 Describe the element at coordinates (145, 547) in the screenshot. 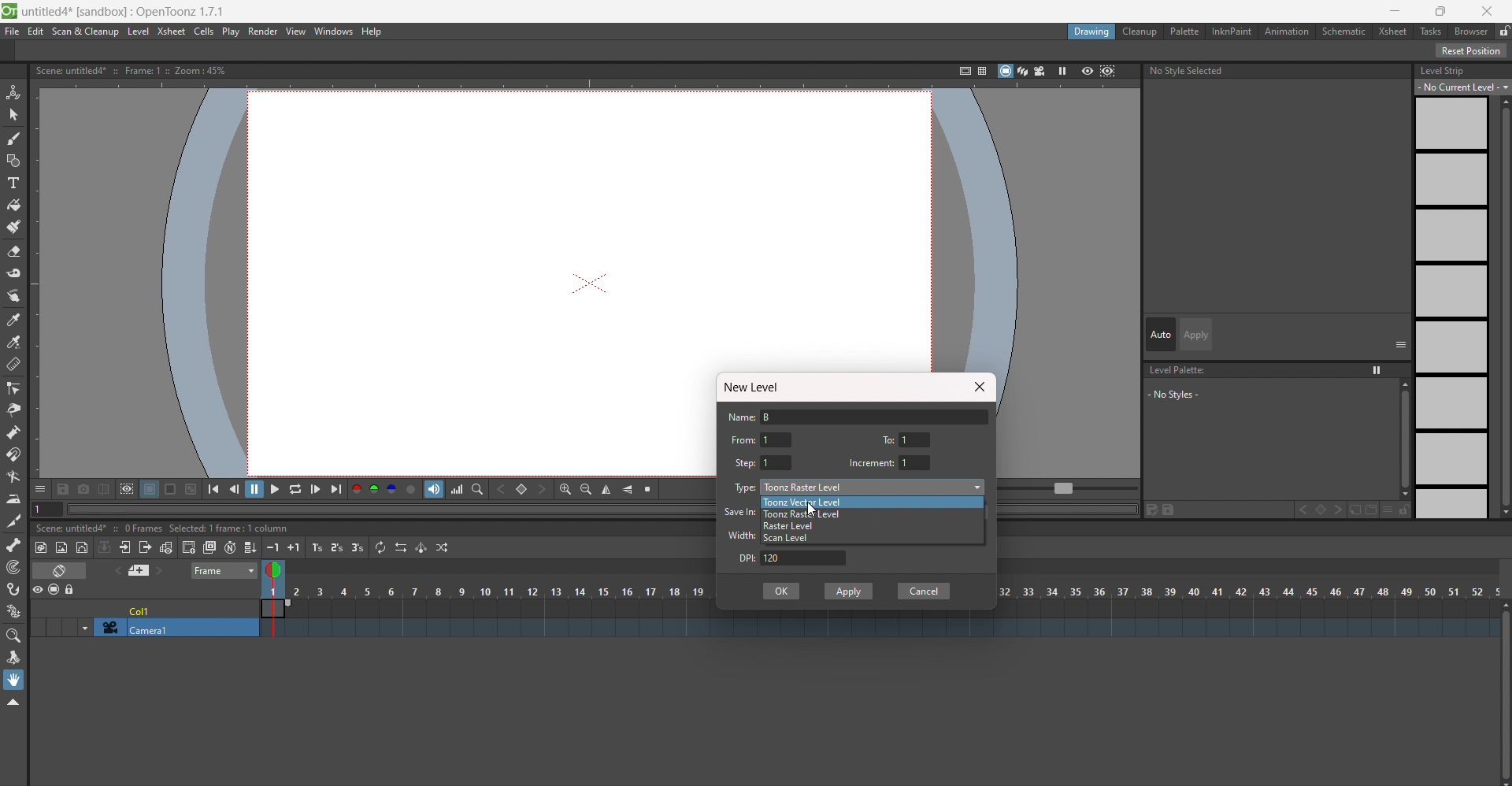

I see `close sub xsheet` at that location.